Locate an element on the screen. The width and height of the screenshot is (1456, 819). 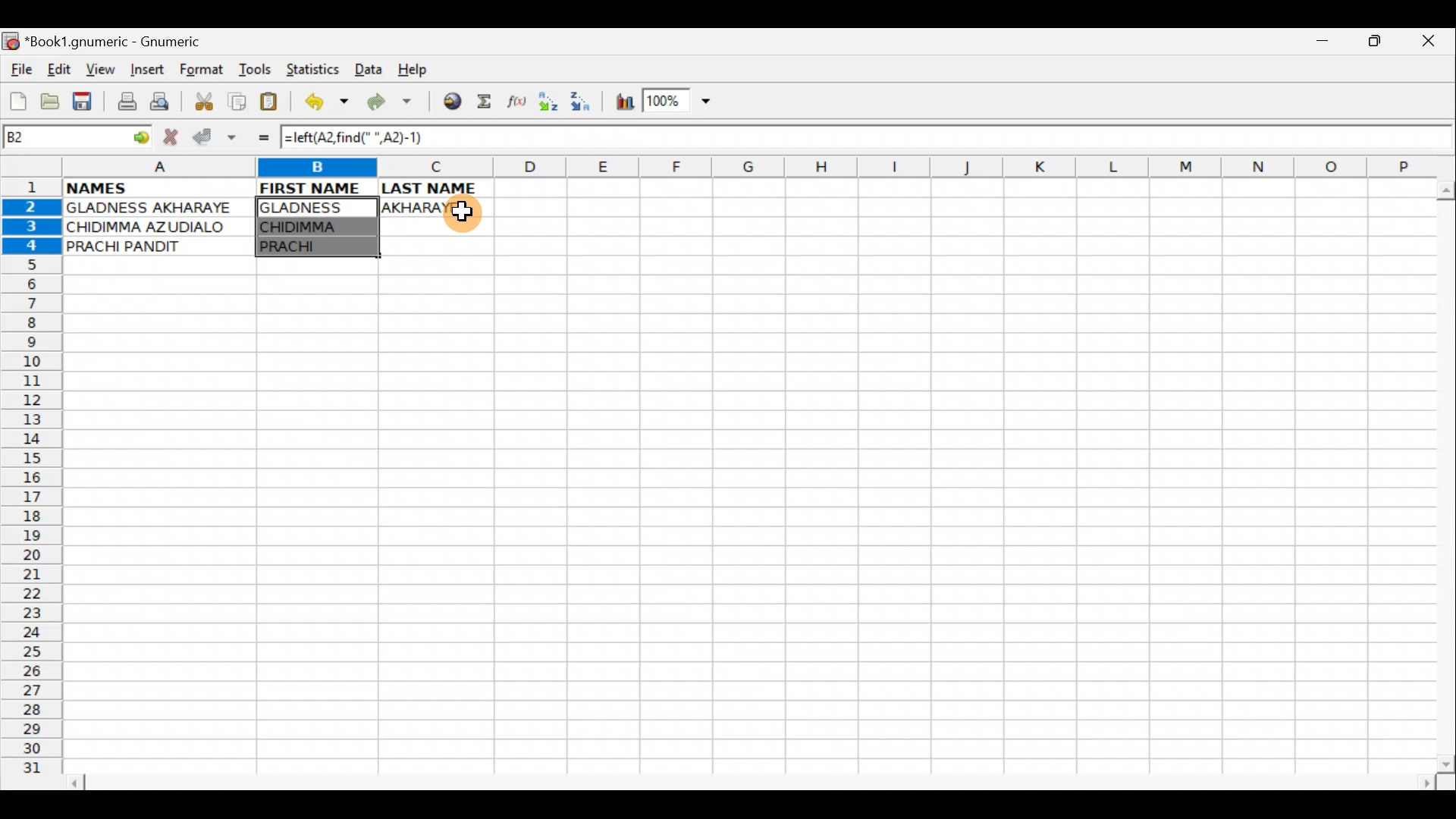
Cursor on cell C2 is located at coordinates (466, 211).